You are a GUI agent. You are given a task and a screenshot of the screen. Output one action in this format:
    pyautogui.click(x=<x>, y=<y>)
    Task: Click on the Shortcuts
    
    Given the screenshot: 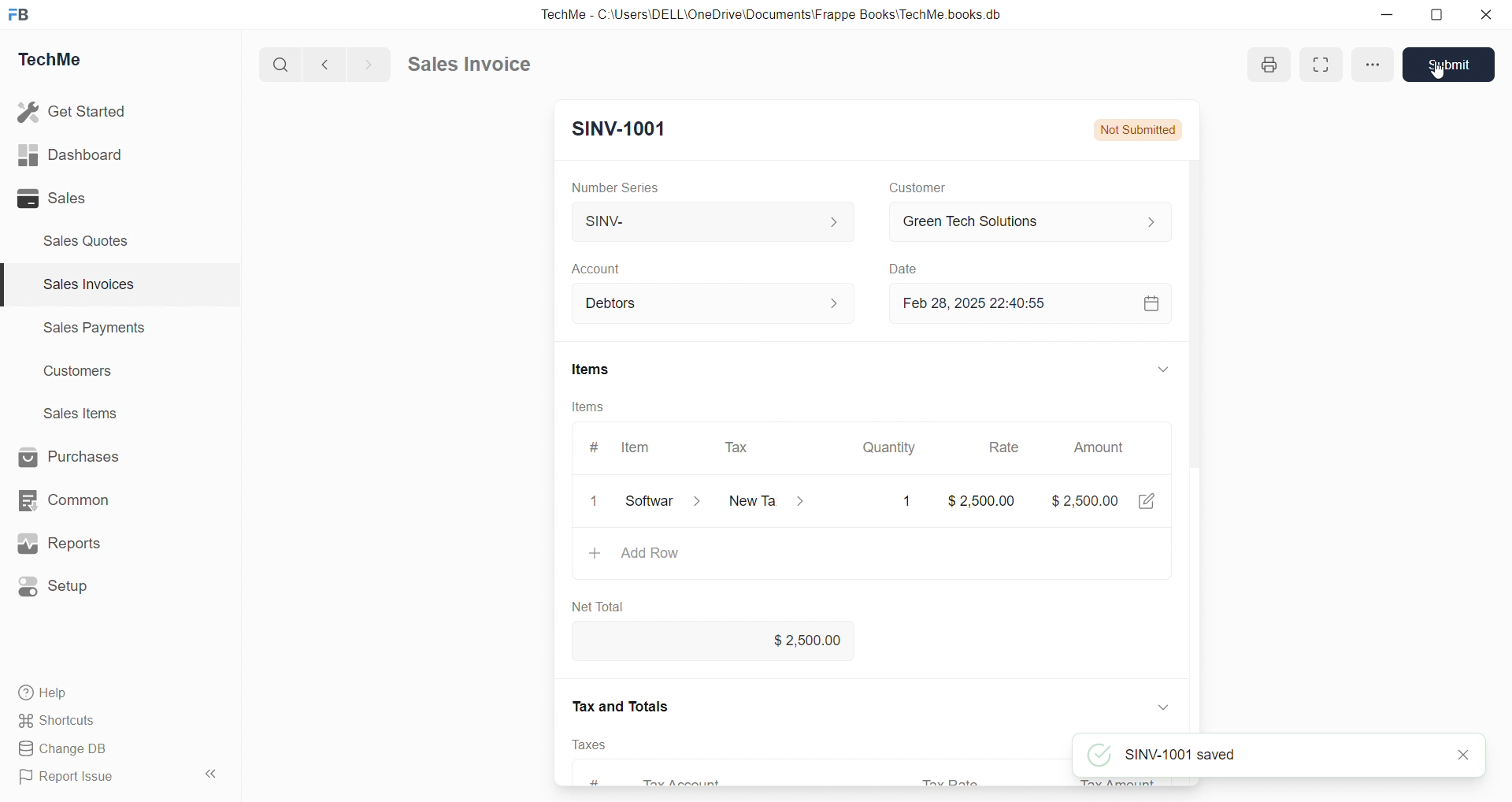 What is the action you would take?
    pyautogui.click(x=59, y=721)
    